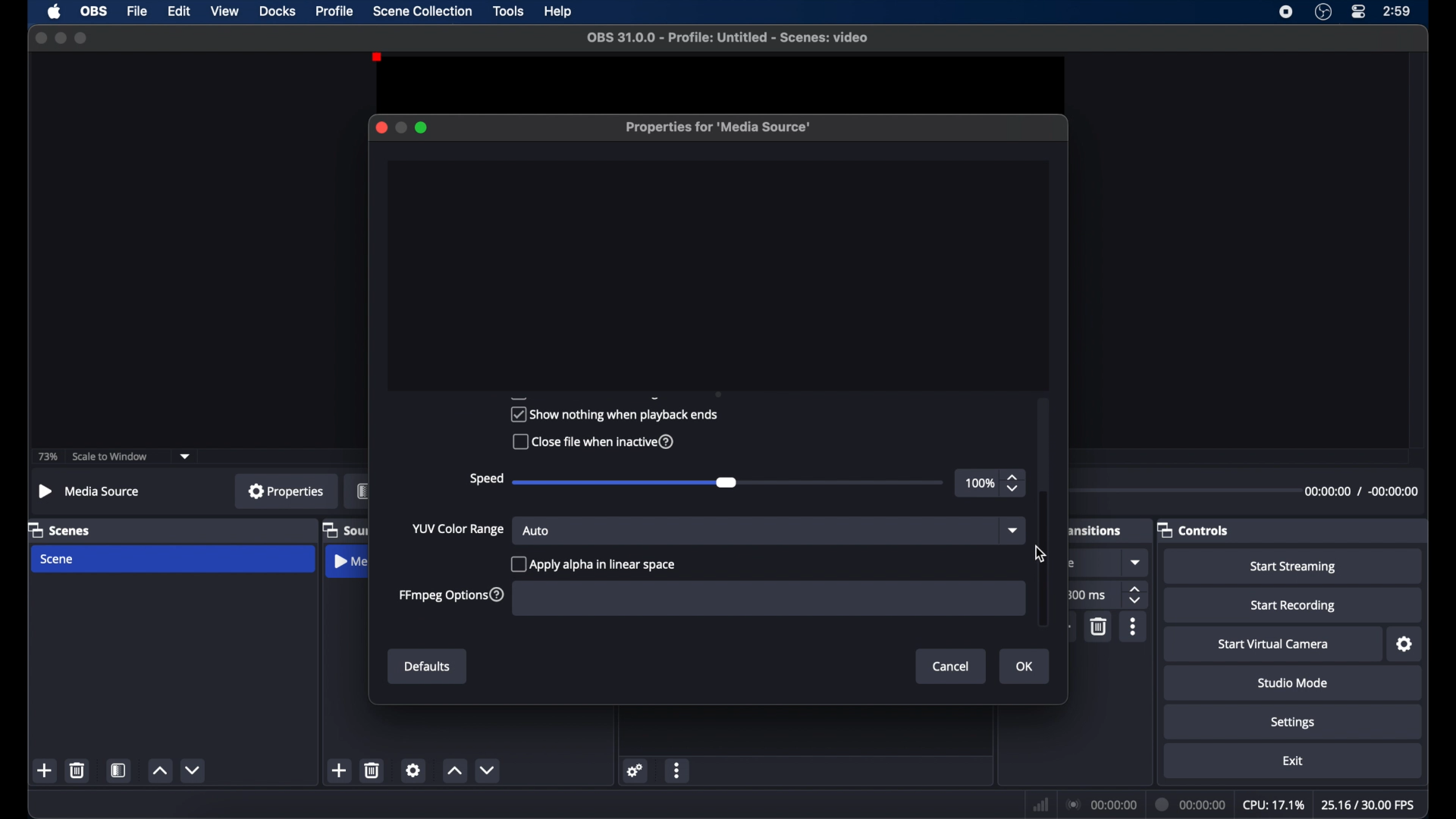 The width and height of the screenshot is (1456, 819). What do you see at coordinates (160, 771) in the screenshot?
I see `increment` at bounding box center [160, 771].